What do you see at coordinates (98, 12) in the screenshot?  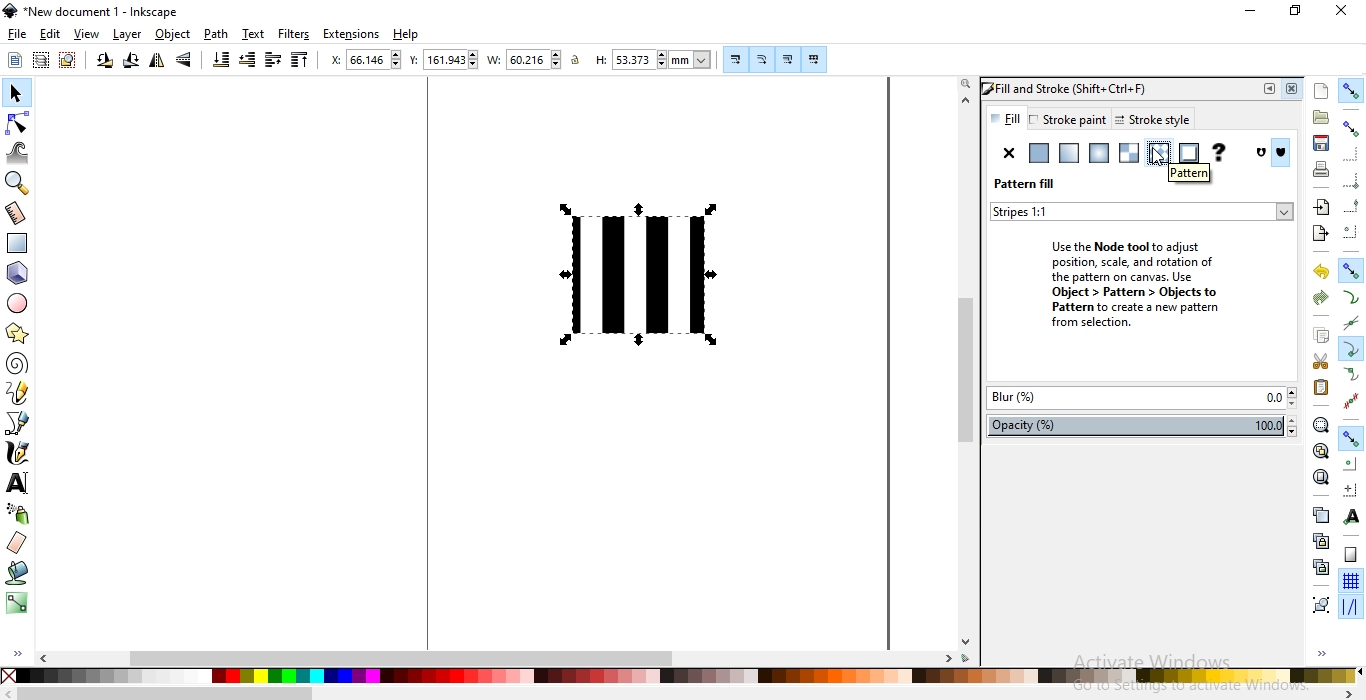 I see `new document 1- Inkscape` at bounding box center [98, 12].